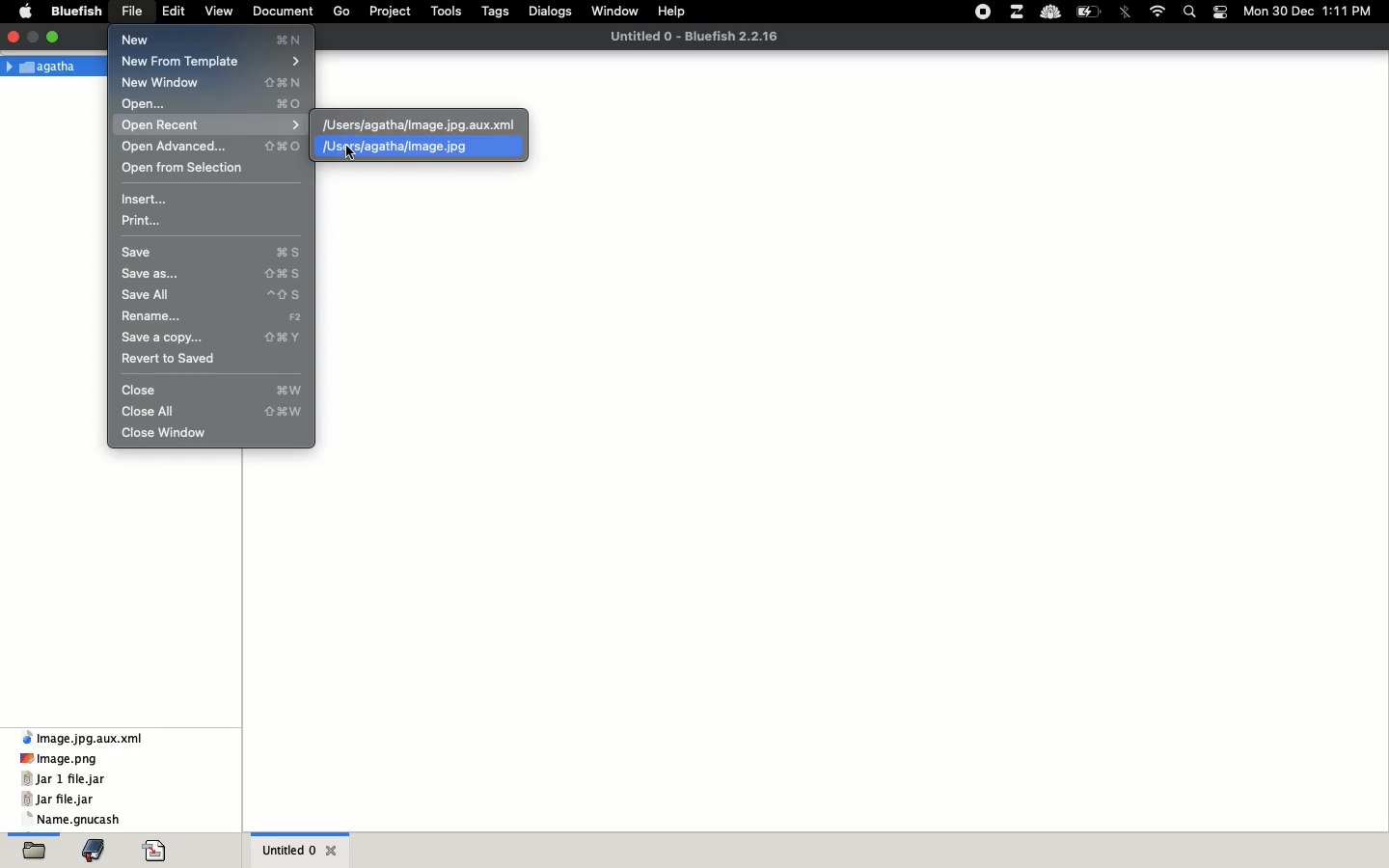 The image size is (1389, 868). What do you see at coordinates (212, 105) in the screenshot?
I see `open   command O` at bounding box center [212, 105].